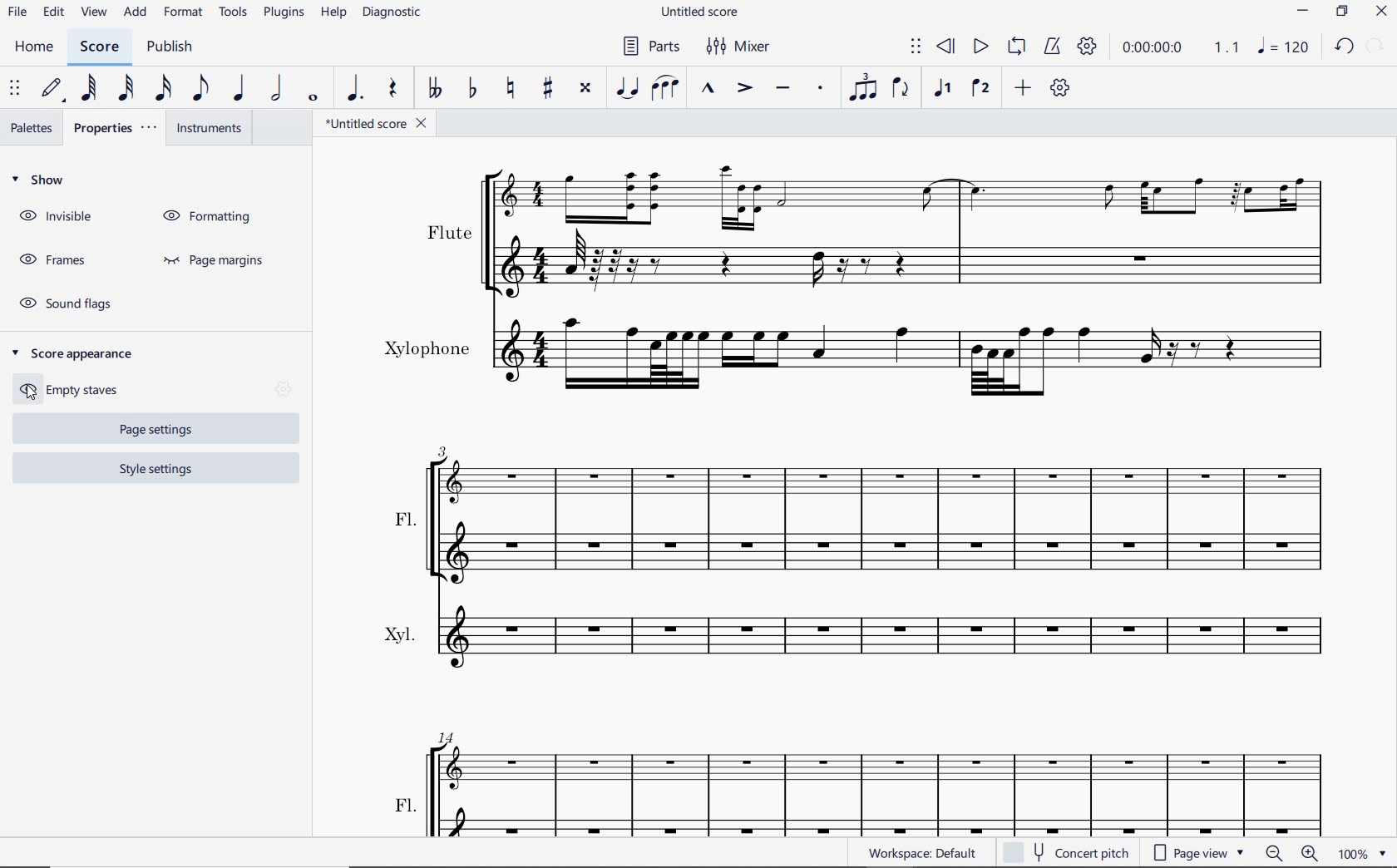  What do you see at coordinates (200, 89) in the screenshot?
I see `EIGHTH NOTE` at bounding box center [200, 89].